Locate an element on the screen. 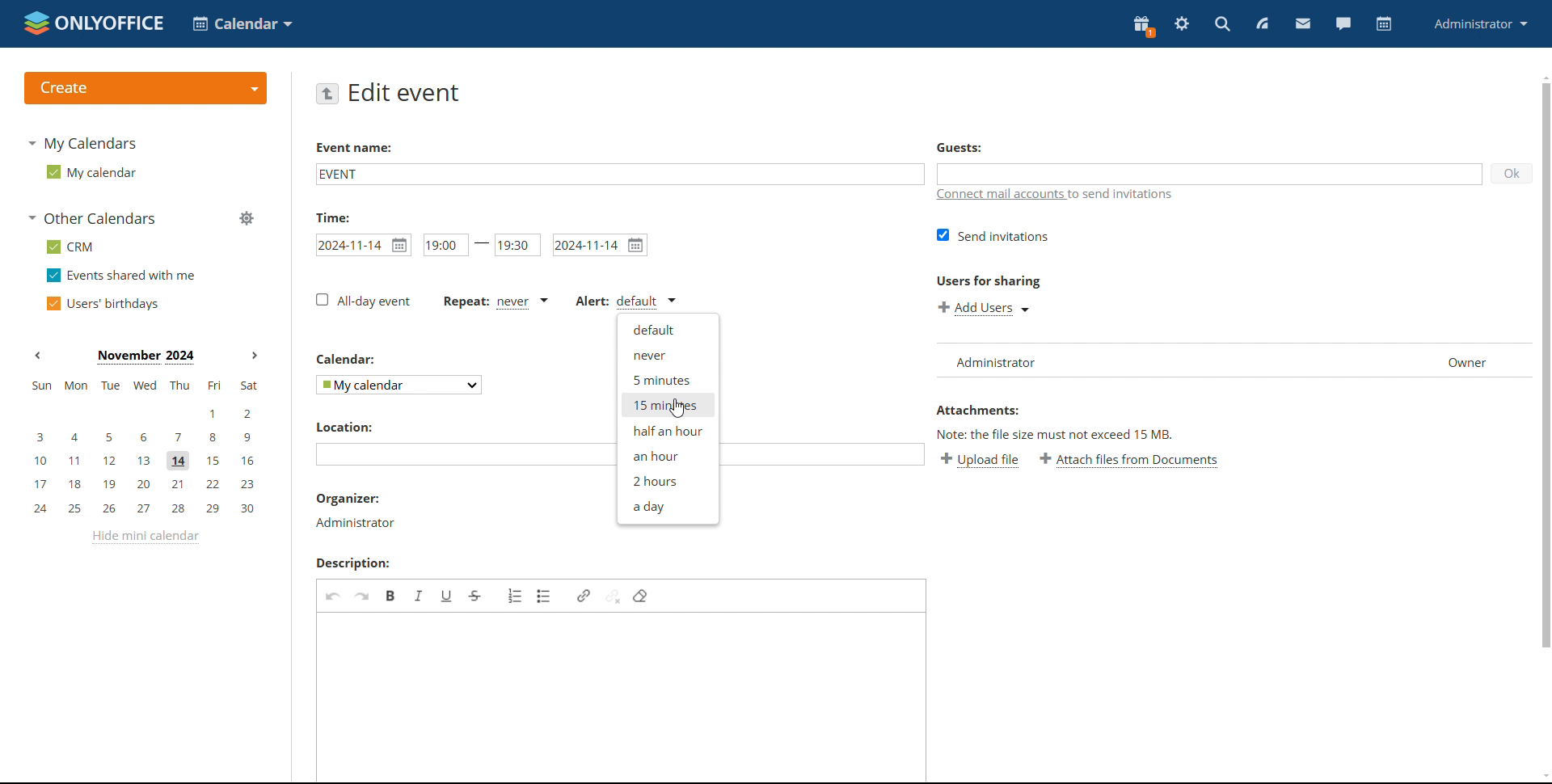 The width and height of the screenshot is (1552, 784). organizer: is located at coordinates (349, 499).